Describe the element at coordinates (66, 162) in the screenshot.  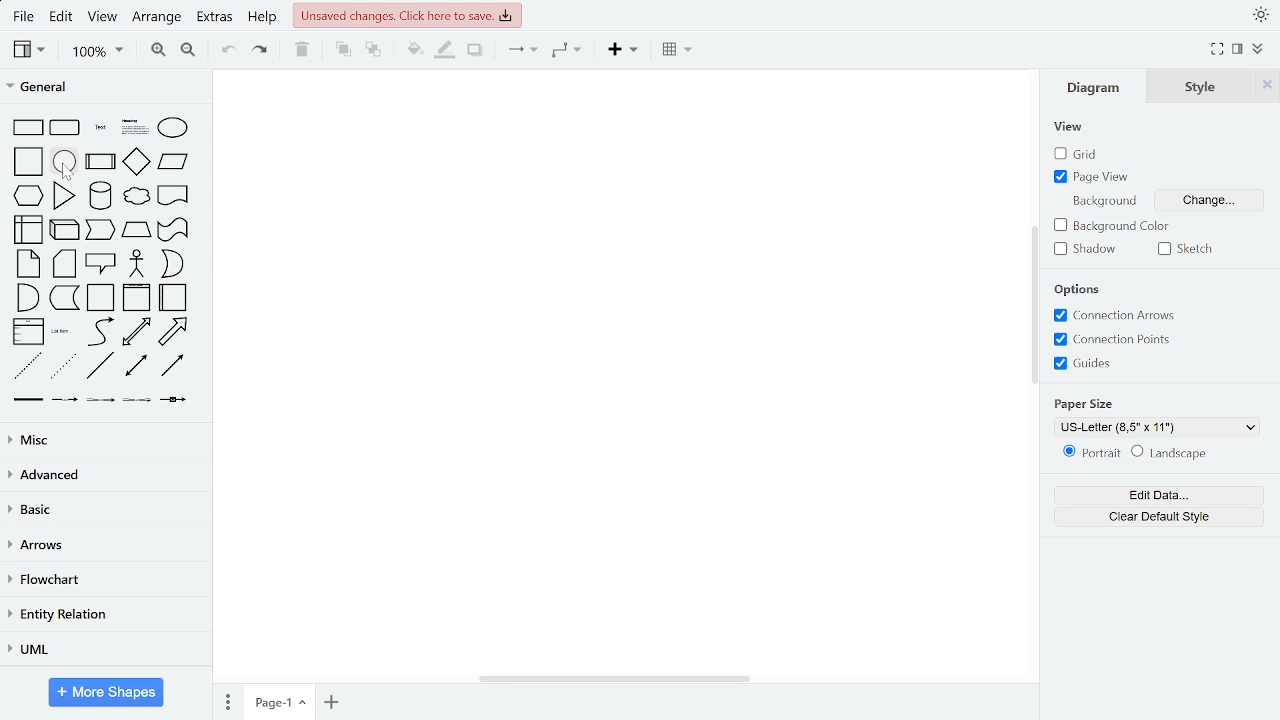
I see `circle` at that location.